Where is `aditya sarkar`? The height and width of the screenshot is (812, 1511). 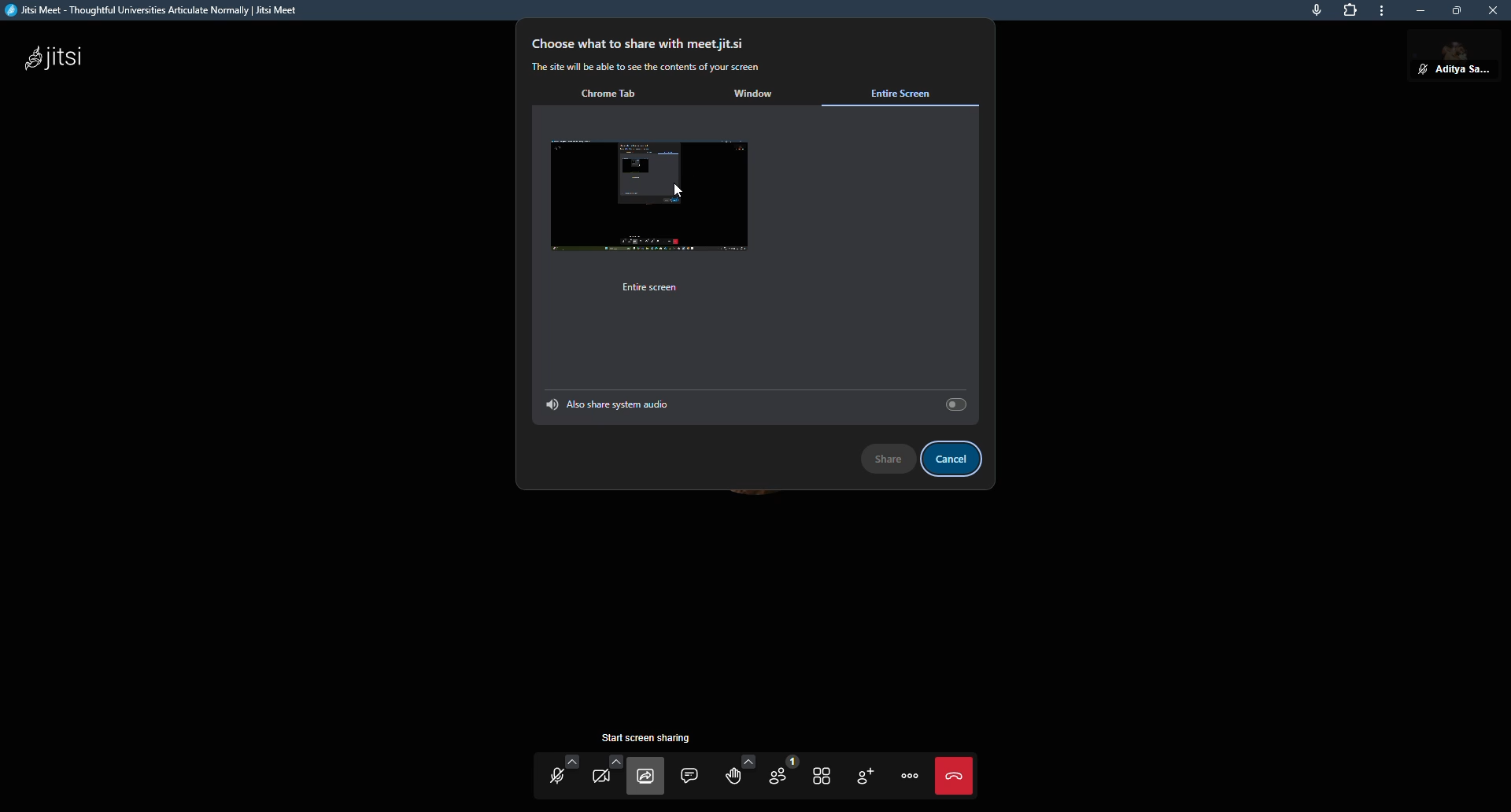 aditya sarkar is located at coordinates (1453, 61).